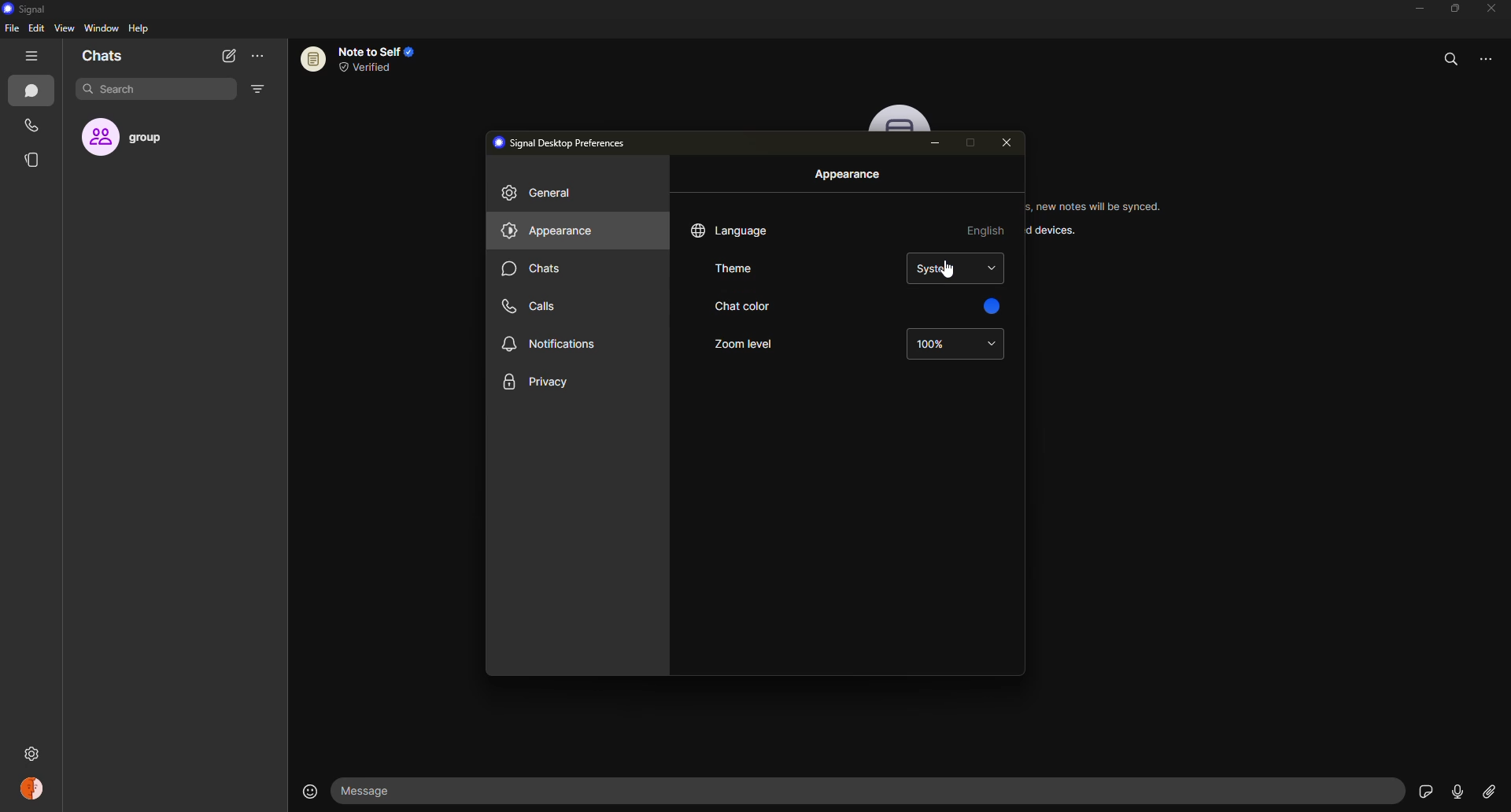 The image size is (1511, 812). Describe the element at coordinates (531, 305) in the screenshot. I see `calls` at that location.